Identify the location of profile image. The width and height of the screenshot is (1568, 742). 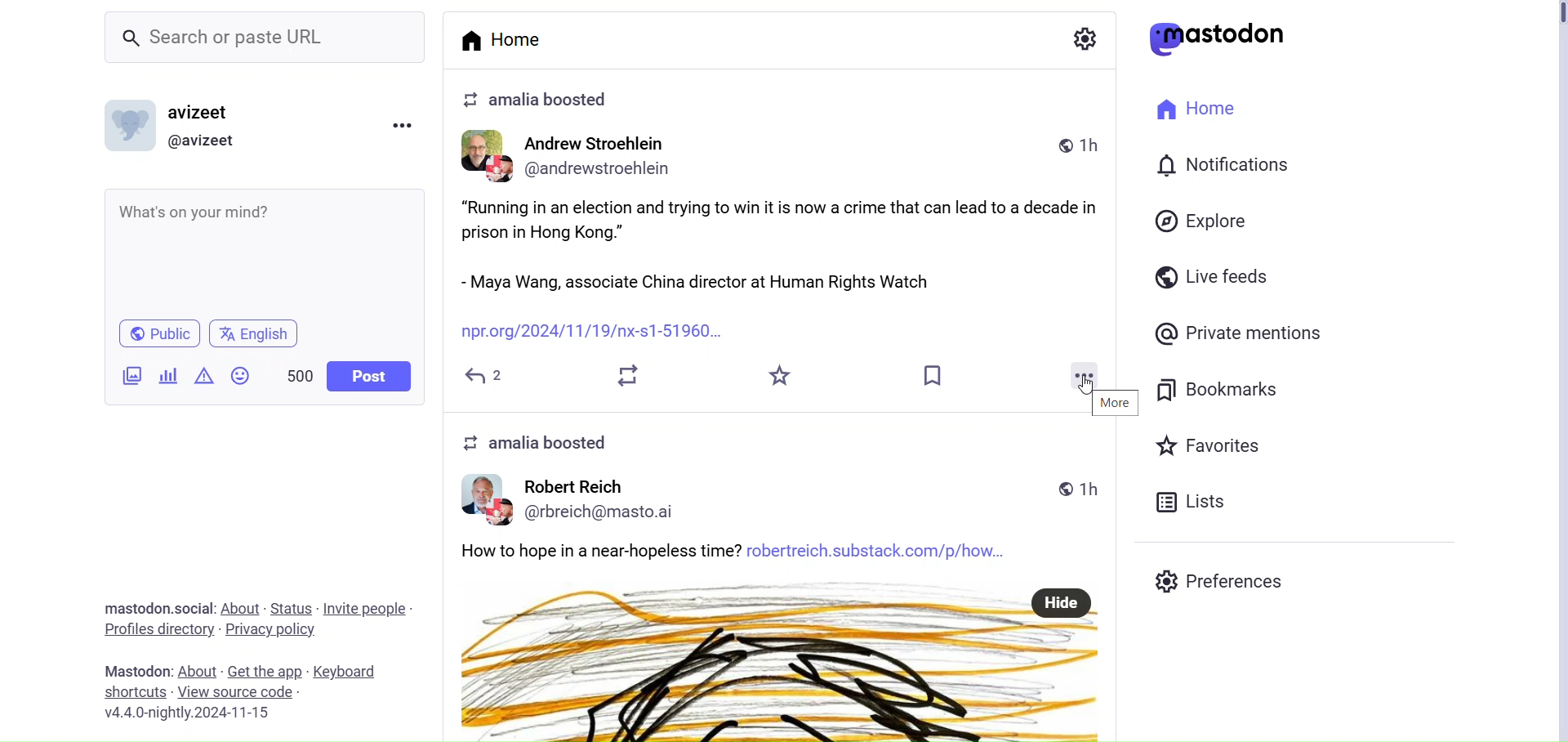
(488, 500).